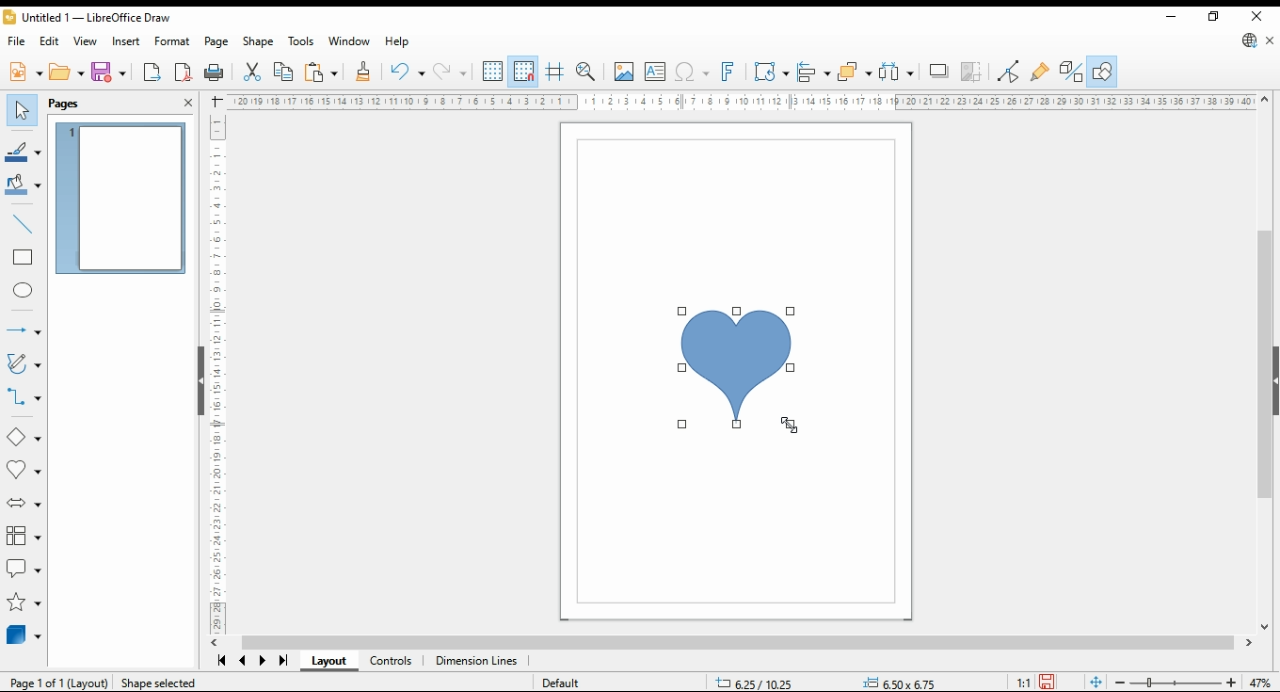 The height and width of the screenshot is (692, 1280). What do you see at coordinates (1095, 682) in the screenshot?
I see `fit page to window` at bounding box center [1095, 682].